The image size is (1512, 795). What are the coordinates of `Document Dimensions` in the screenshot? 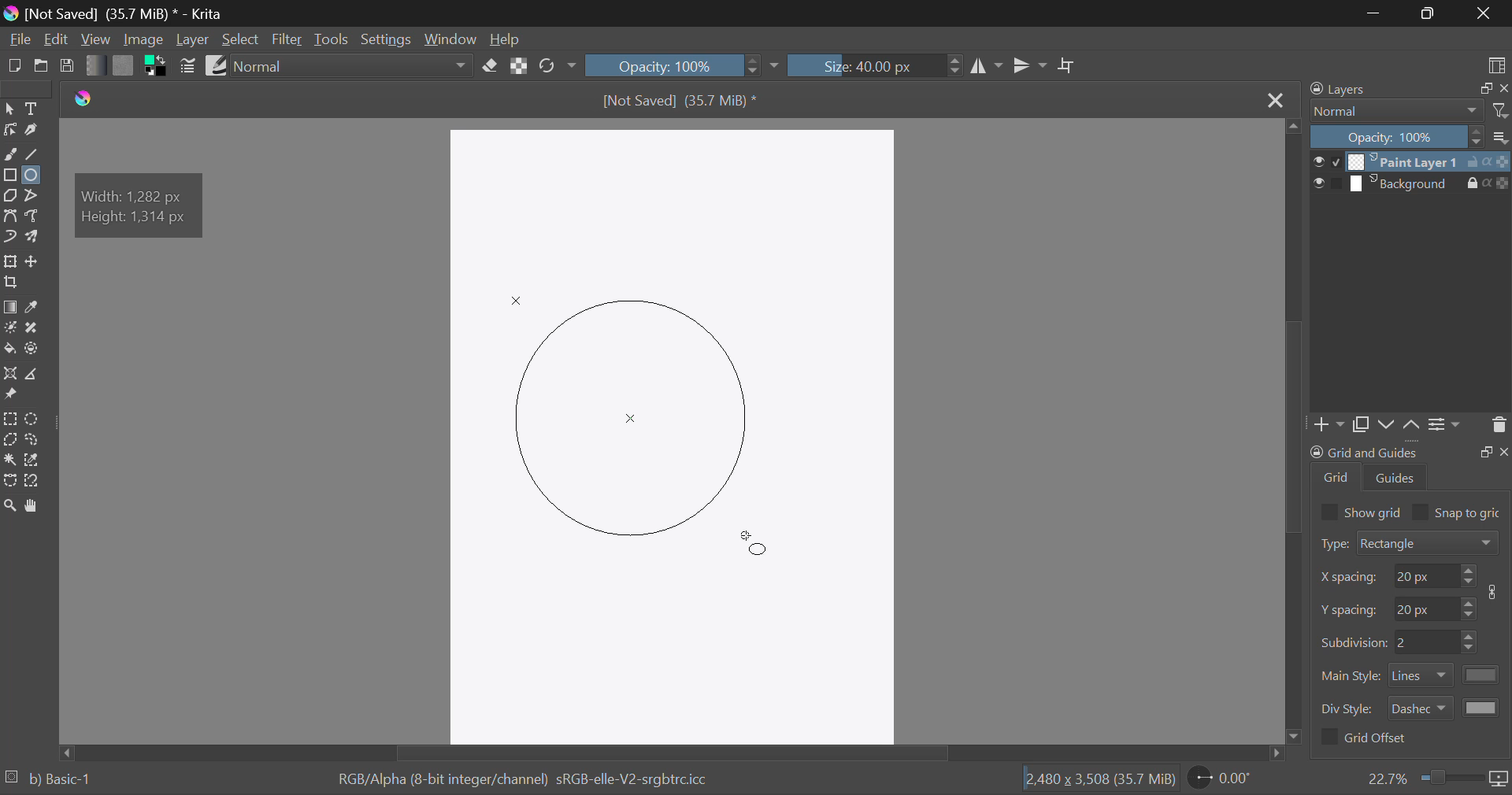 It's located at (1096, 780).